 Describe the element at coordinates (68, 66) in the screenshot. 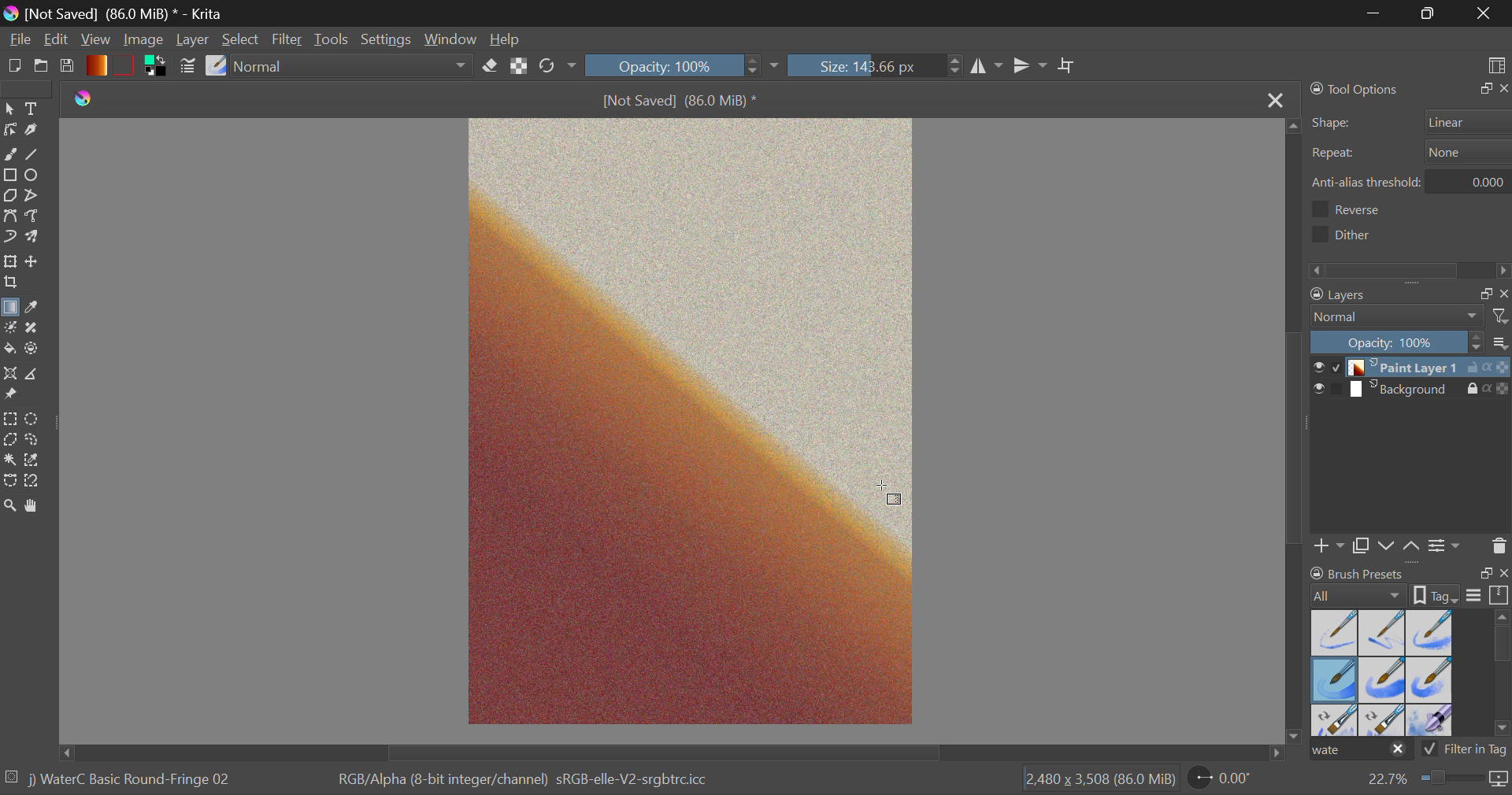

I see `Save` at that location.